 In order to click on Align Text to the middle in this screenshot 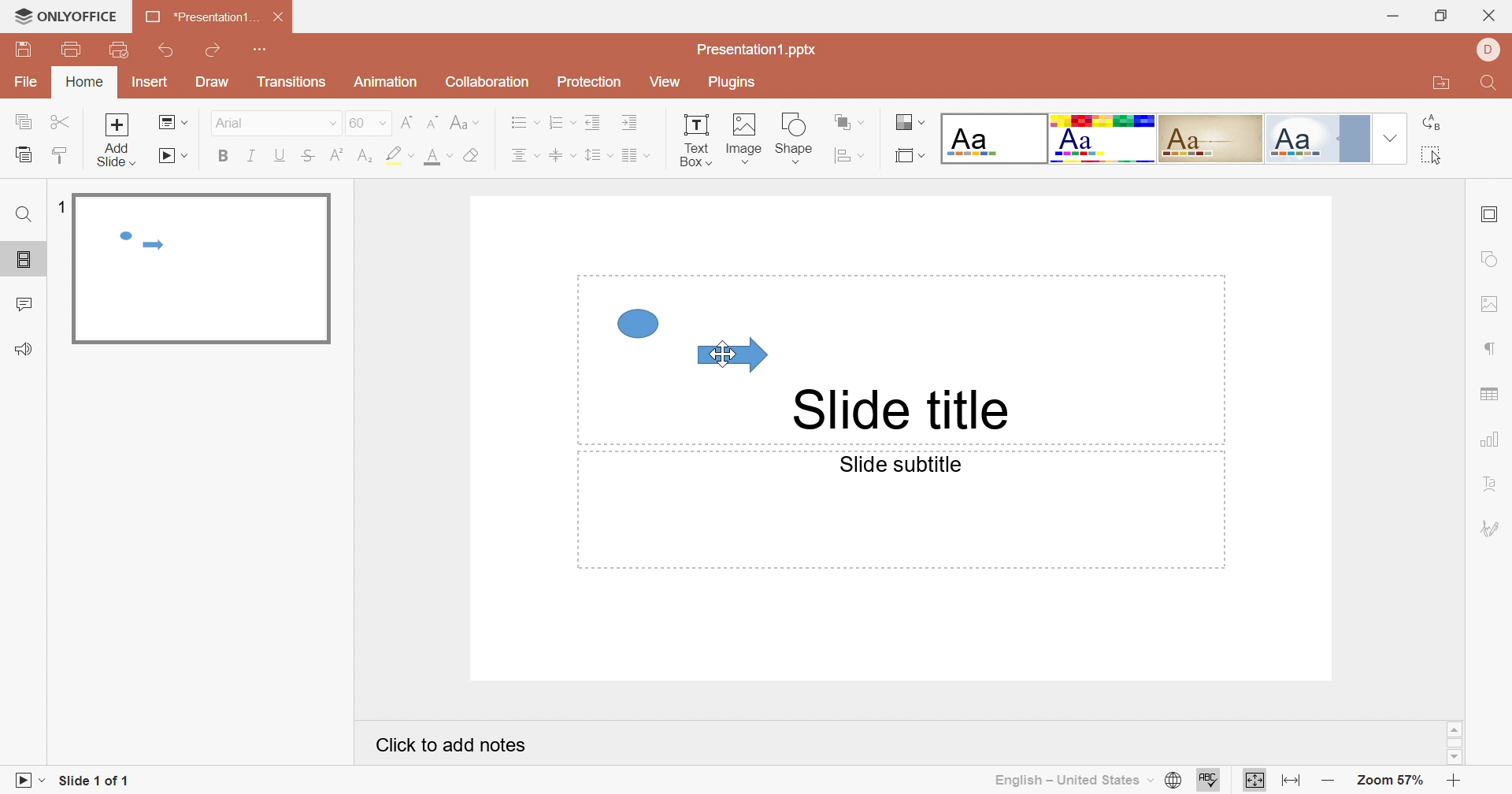, I will do `click(558, 157)`.